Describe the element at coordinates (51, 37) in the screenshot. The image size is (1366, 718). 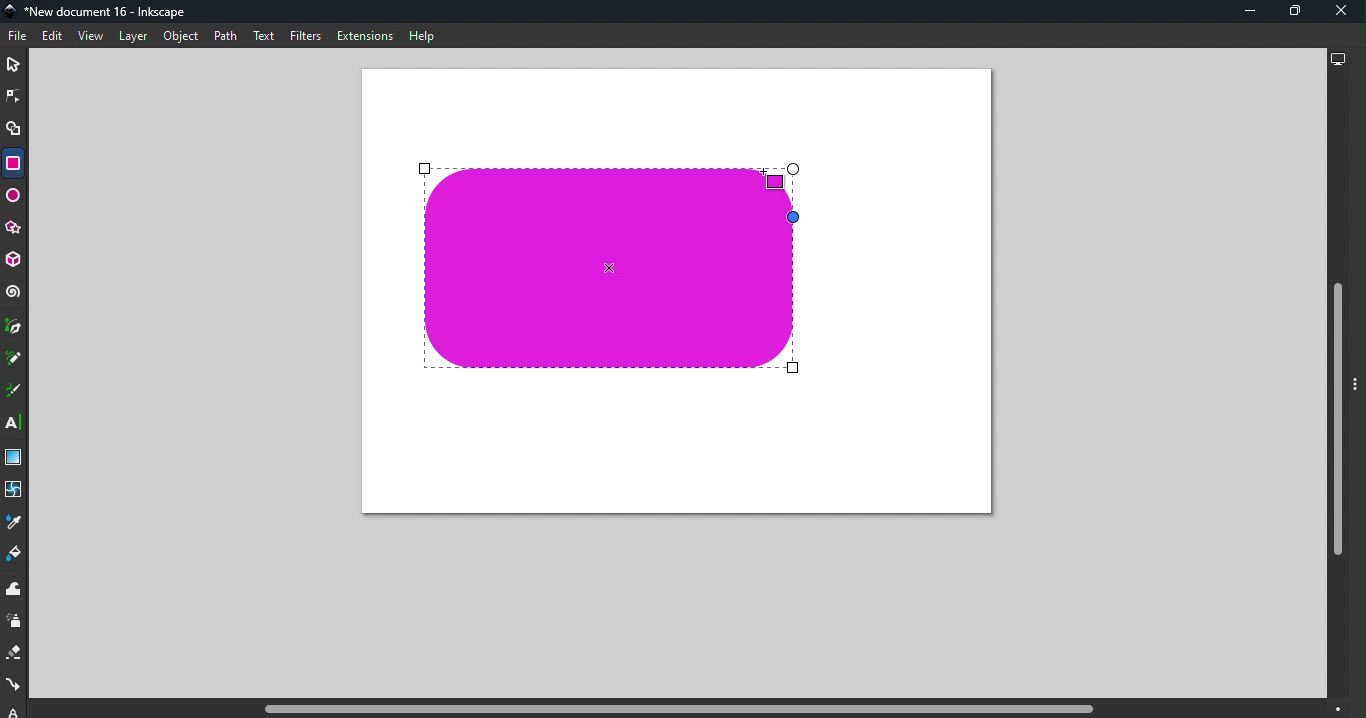
I see `Edit` at that location.